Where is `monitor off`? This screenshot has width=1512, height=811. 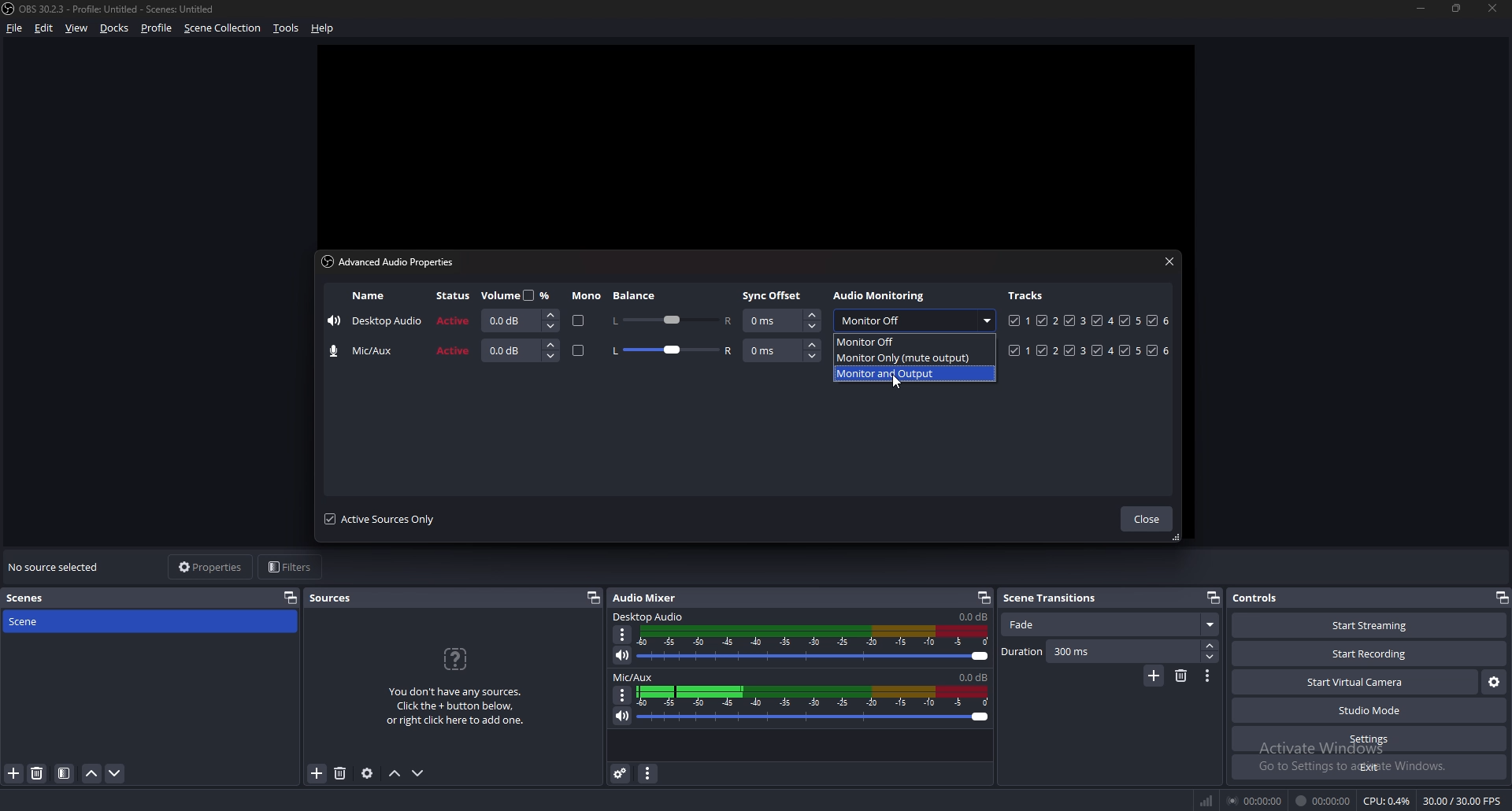
monitor off is located at coordinates (887, 343).